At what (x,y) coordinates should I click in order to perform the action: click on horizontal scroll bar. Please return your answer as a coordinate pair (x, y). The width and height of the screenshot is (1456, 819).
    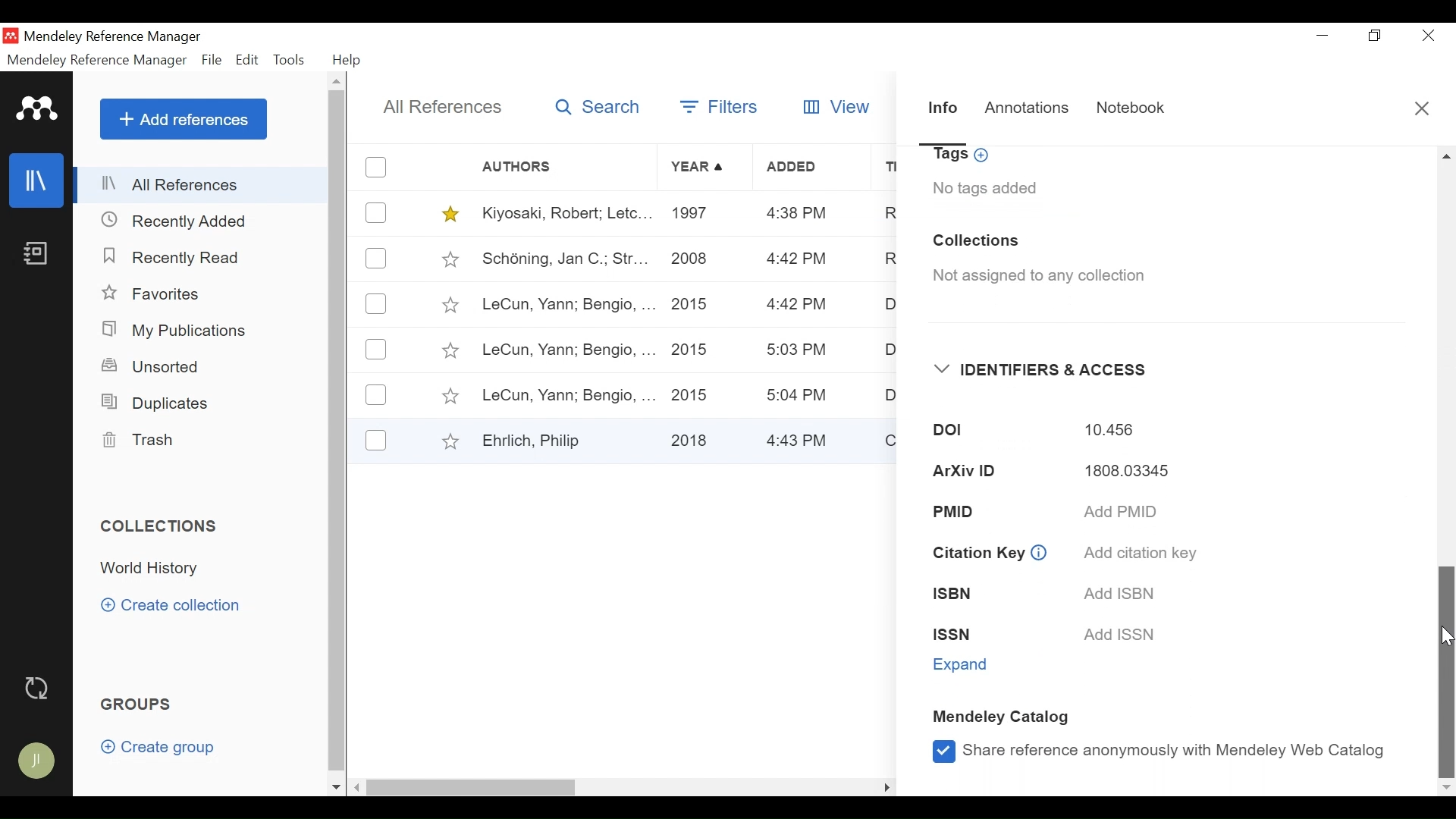
    Looking at the image, I should click on (475, 786).